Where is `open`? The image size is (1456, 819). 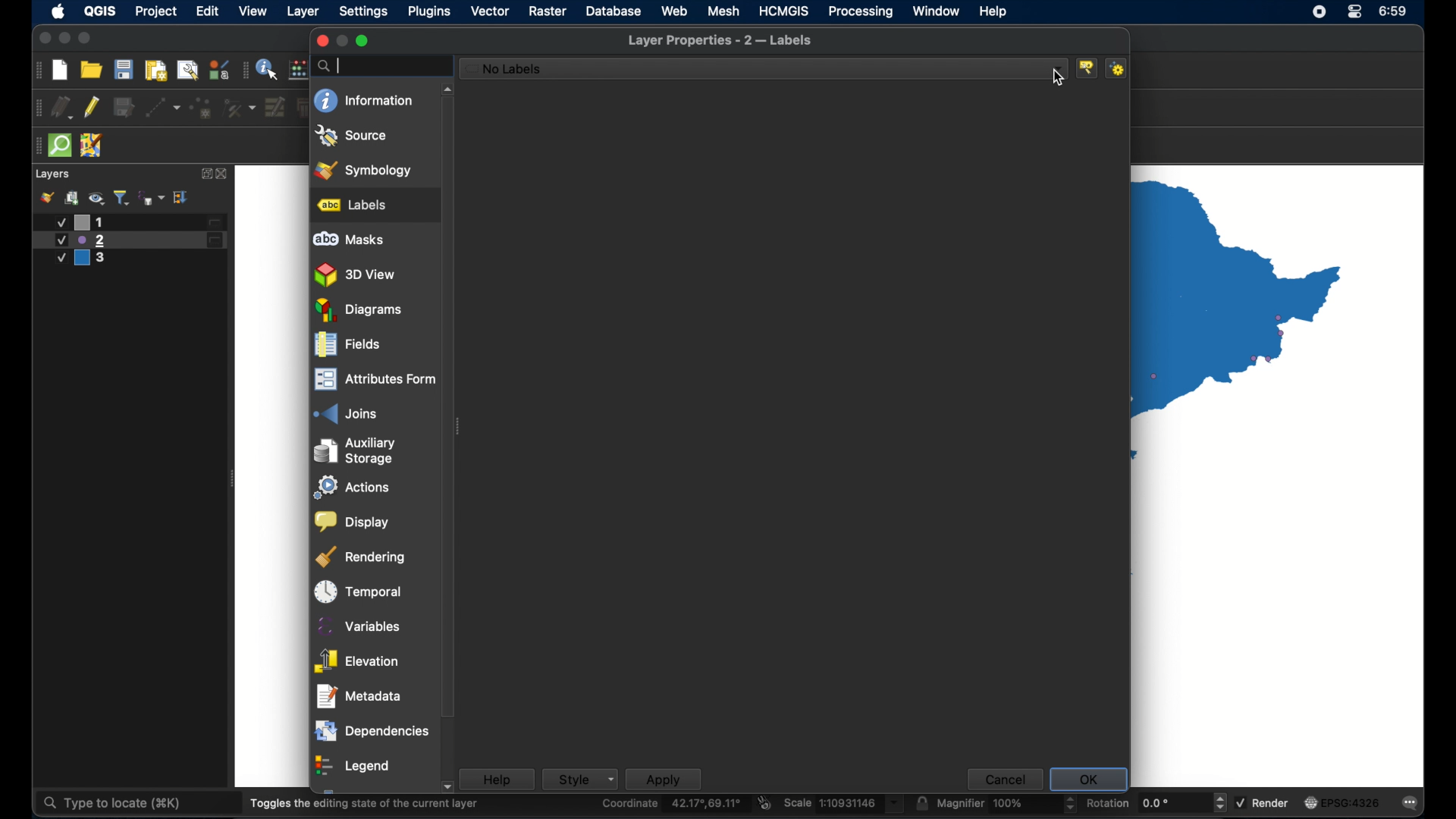 open is located at coordinates (91, 69).